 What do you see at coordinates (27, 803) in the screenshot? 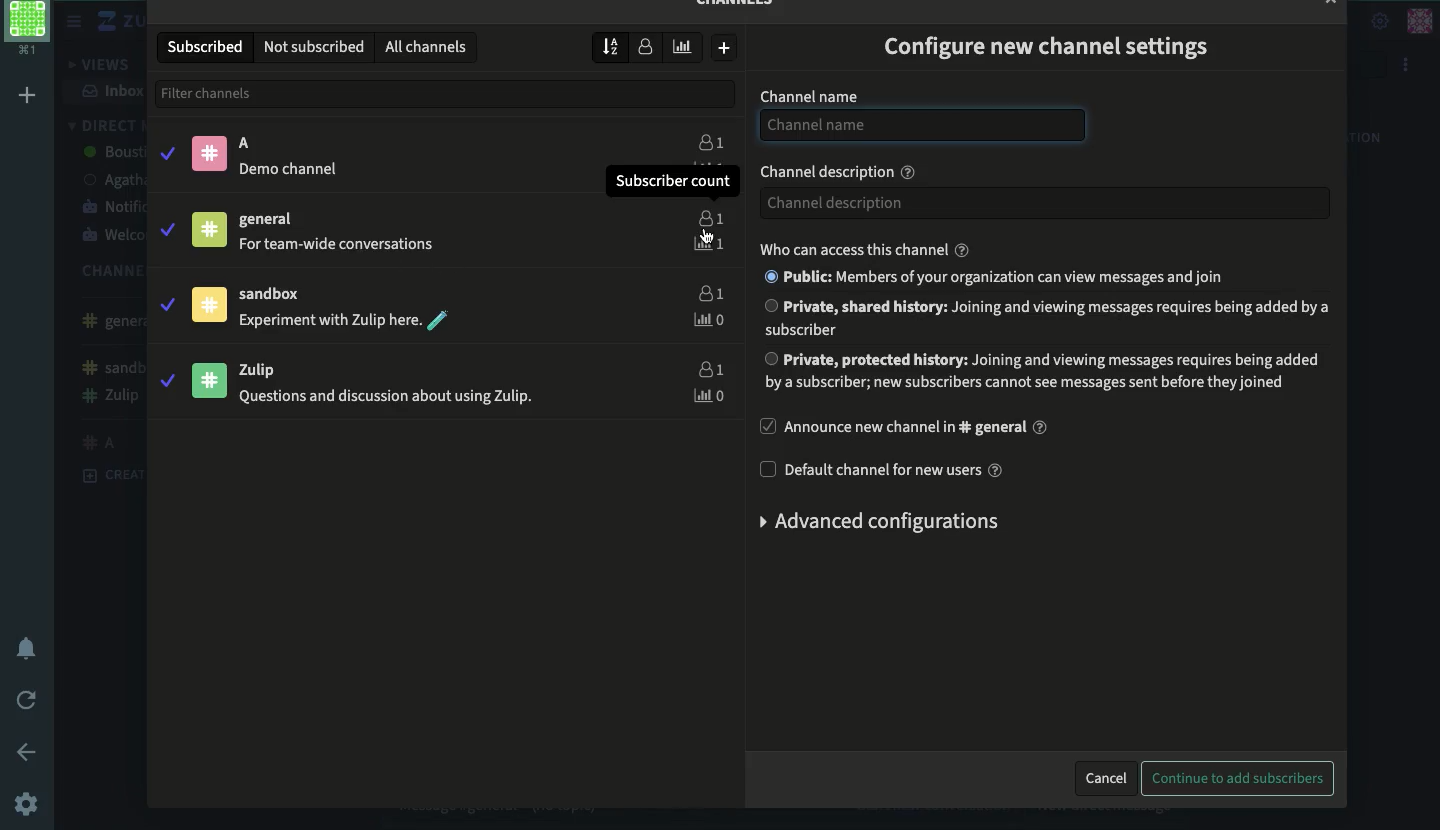
I see `settings` at bounding box center [27, 803].